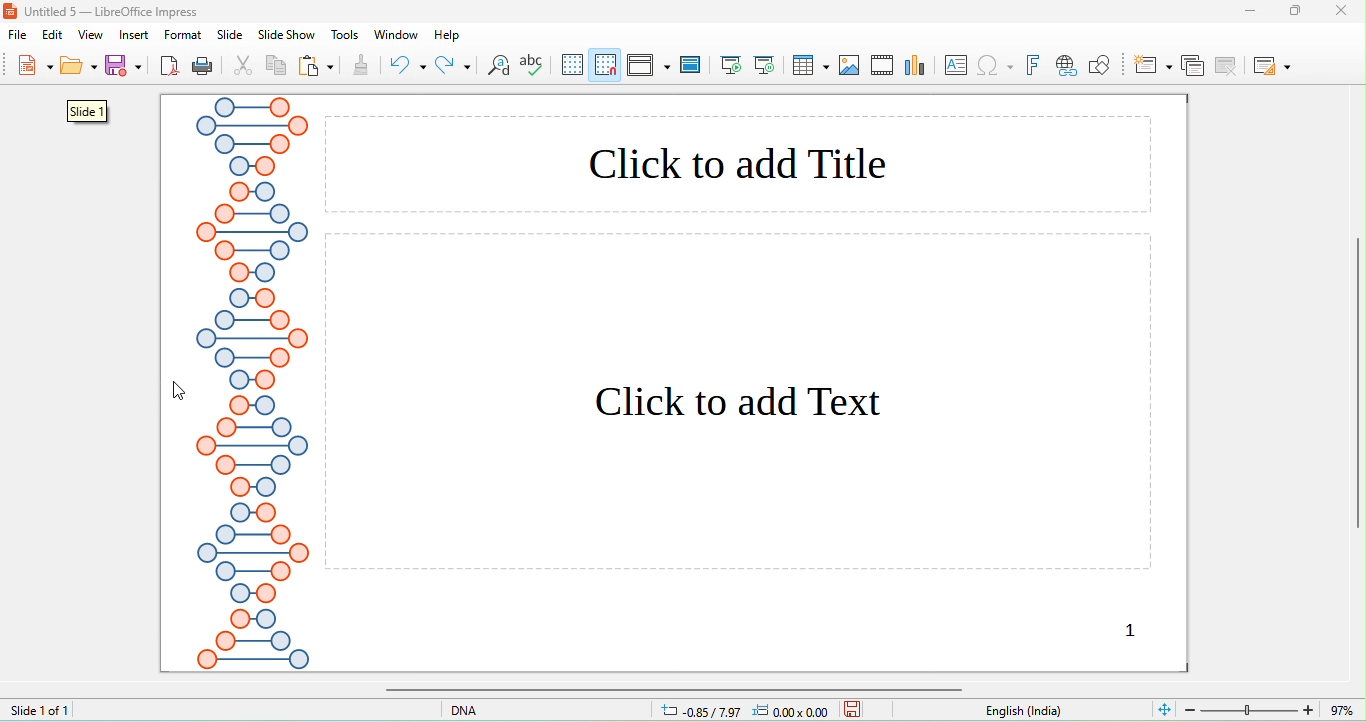 Image resolution: width=1366 pixels, height=722 pixels. Describe the element at coordinates (853, 708) in the screenshot. I see `save` at that location.